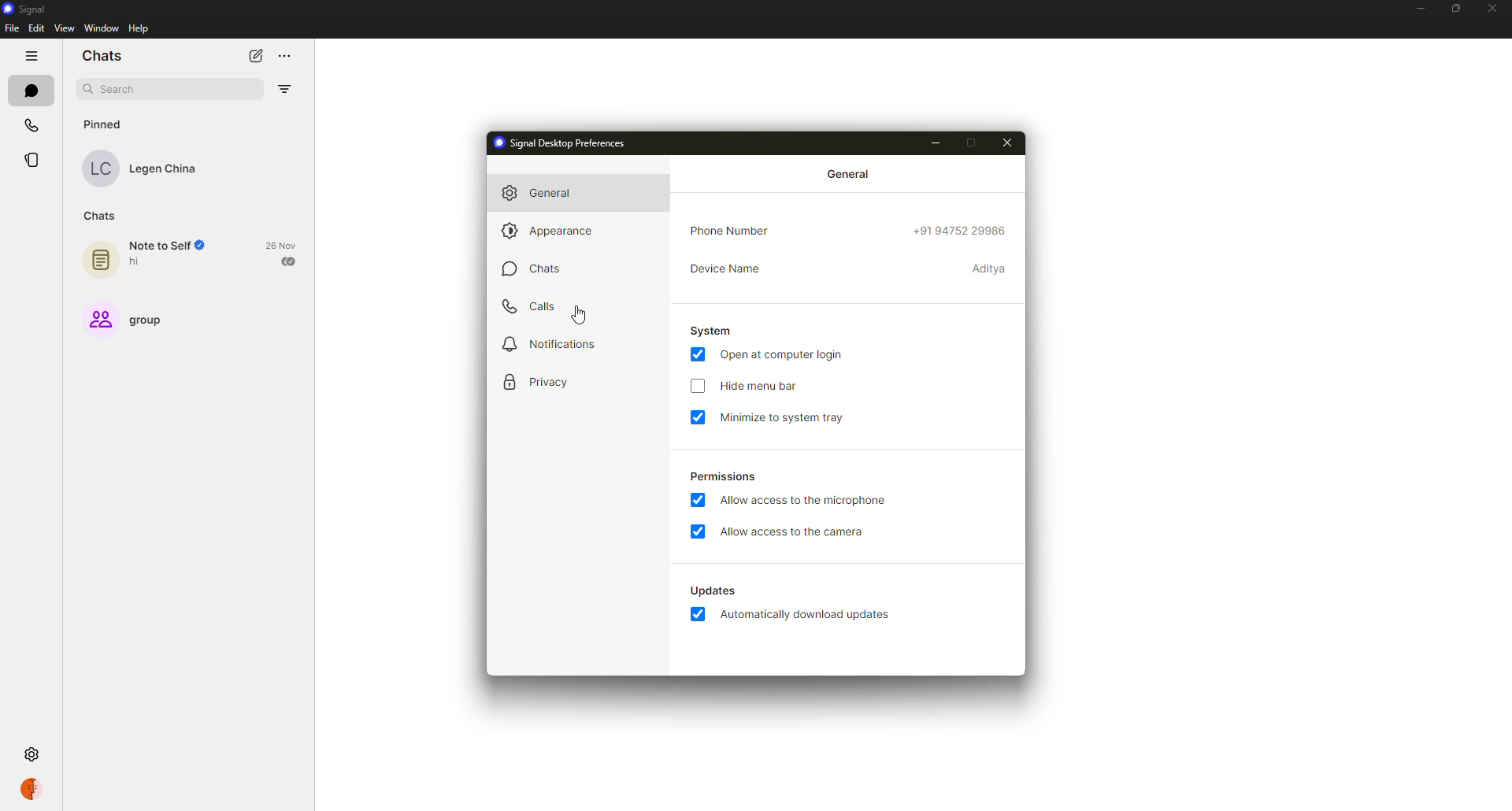  What do you see at coordinates (702, 417) in the screenshot?
I see `enabled` at bounding box center [702, 417].